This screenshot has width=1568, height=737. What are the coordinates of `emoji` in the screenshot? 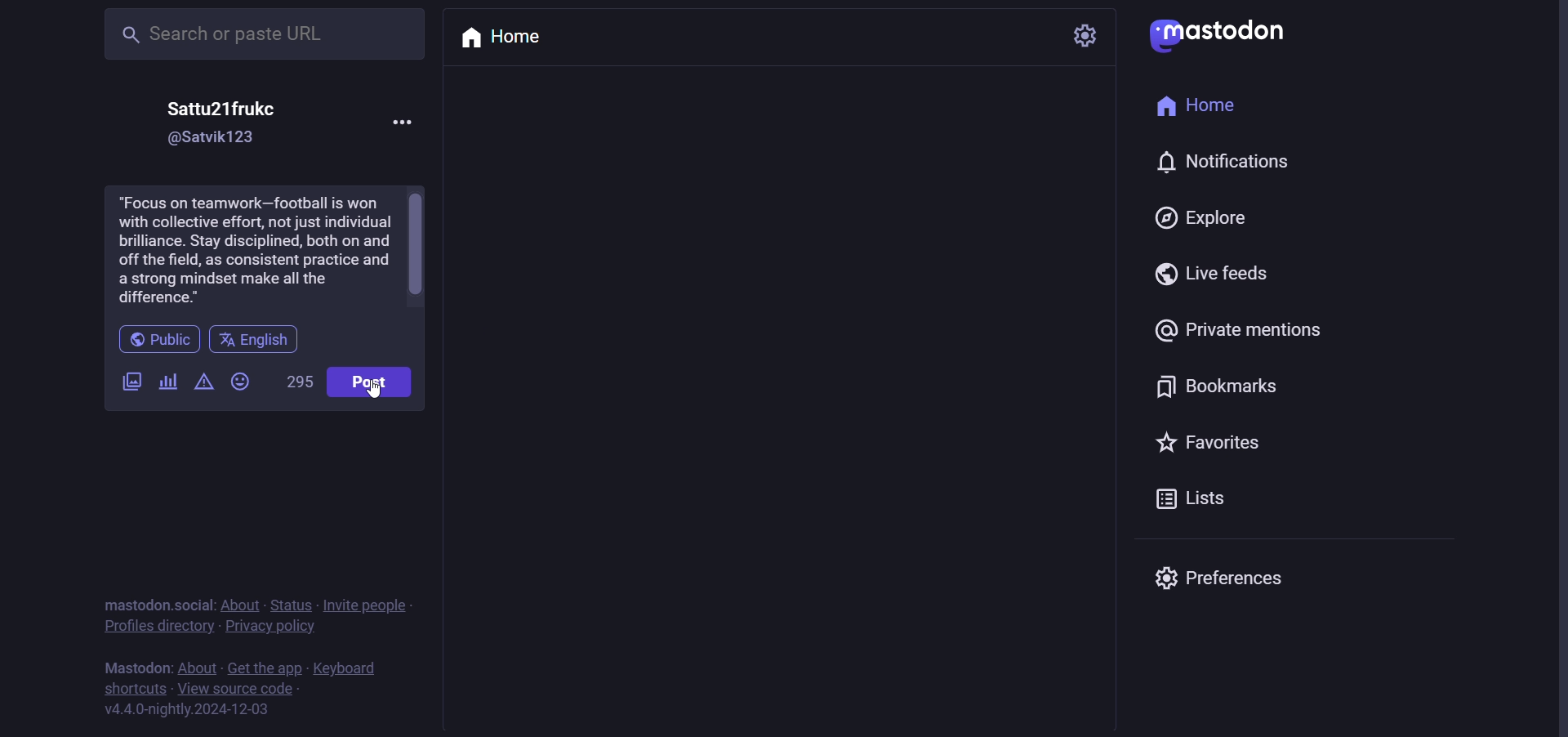 It's located at (240, 374).